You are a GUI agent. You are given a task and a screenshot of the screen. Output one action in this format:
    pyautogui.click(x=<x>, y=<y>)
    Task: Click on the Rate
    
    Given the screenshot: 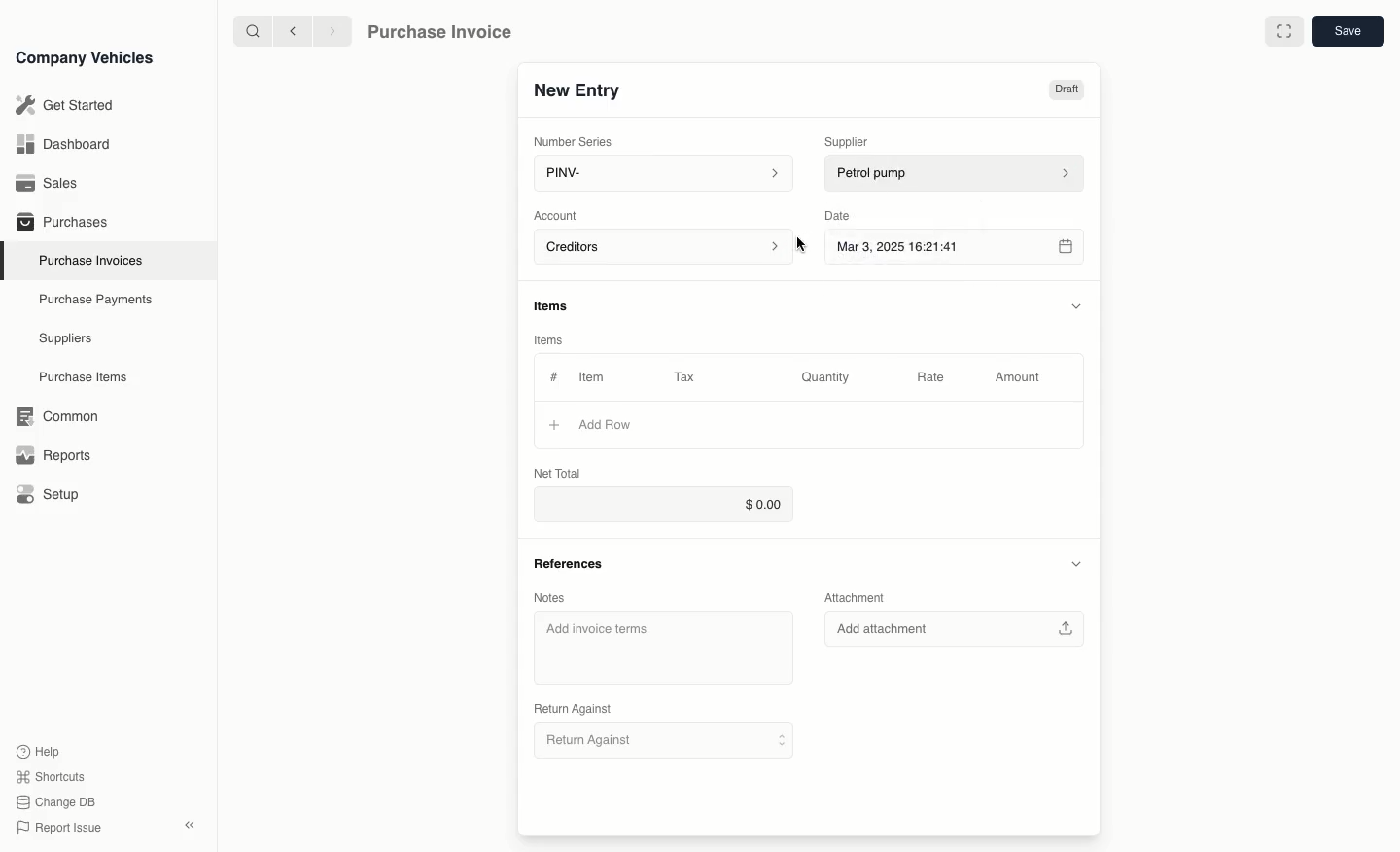 What is the action you would take?
    pyautogui.click(x=932, y=377)
    